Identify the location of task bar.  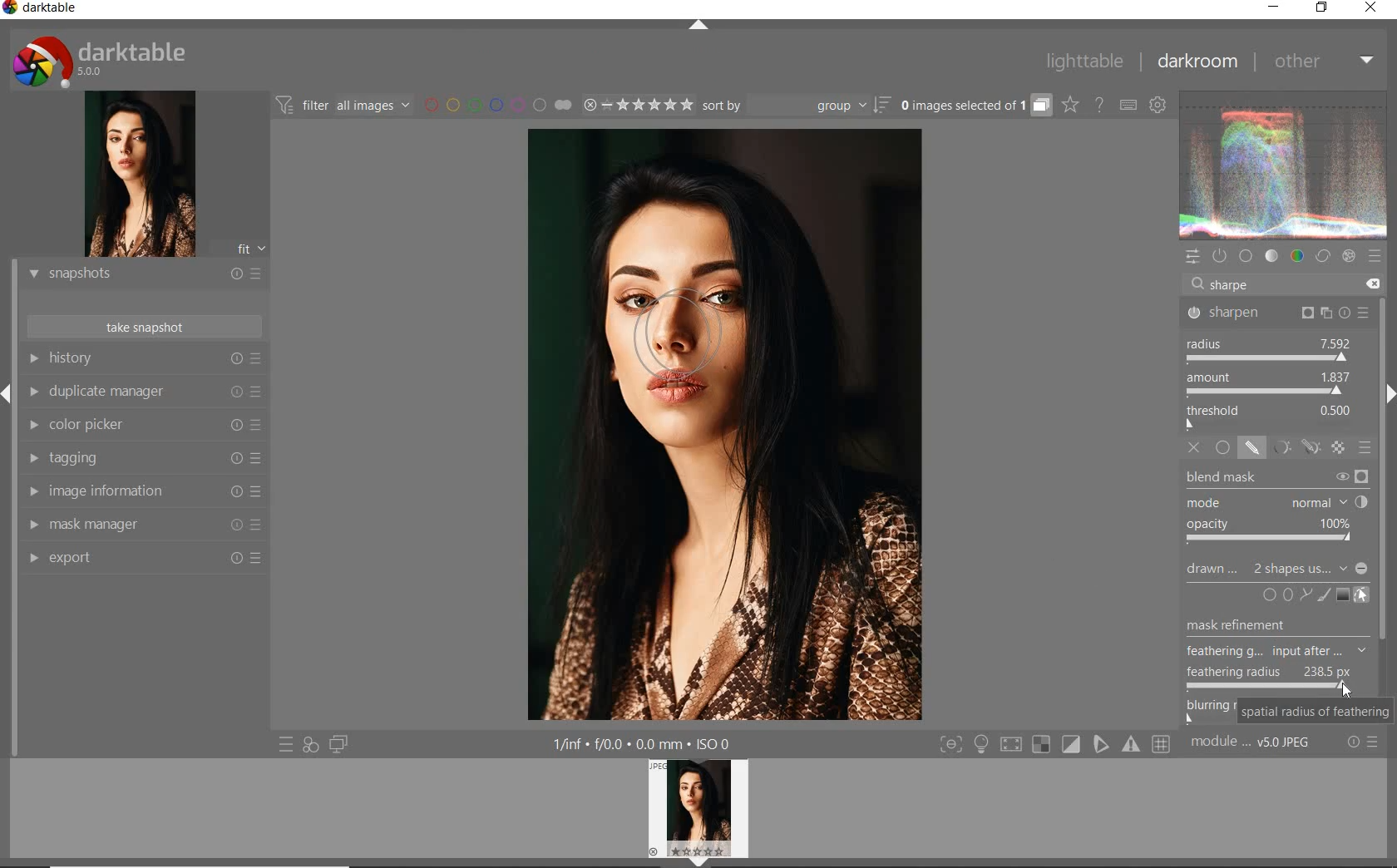
(1385, 512).